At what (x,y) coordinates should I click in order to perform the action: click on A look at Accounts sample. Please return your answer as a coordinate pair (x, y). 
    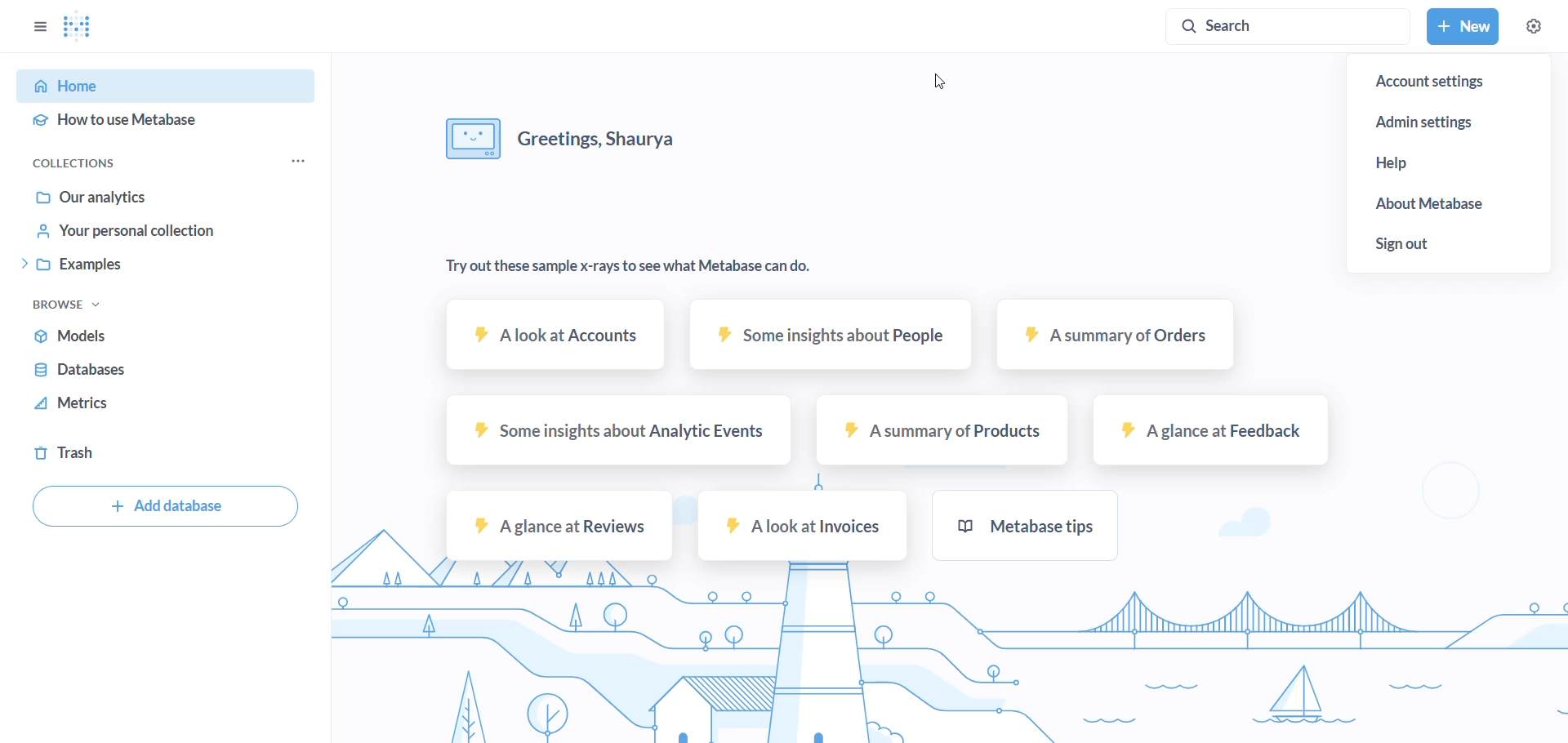
    Looking at the image, I should click on (555, 344).